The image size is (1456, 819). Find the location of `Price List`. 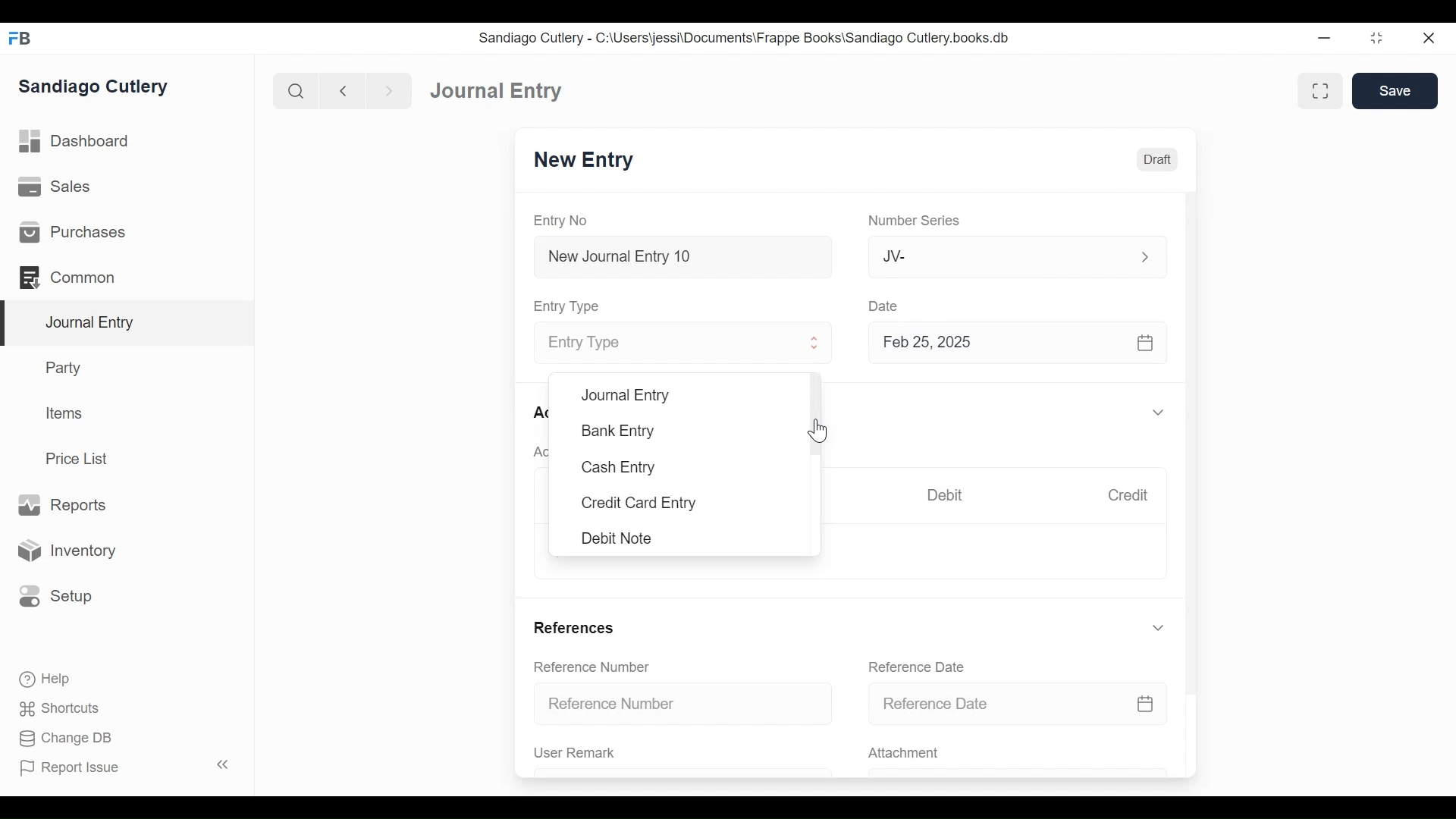

Price List is located at coordinates (80, 458).